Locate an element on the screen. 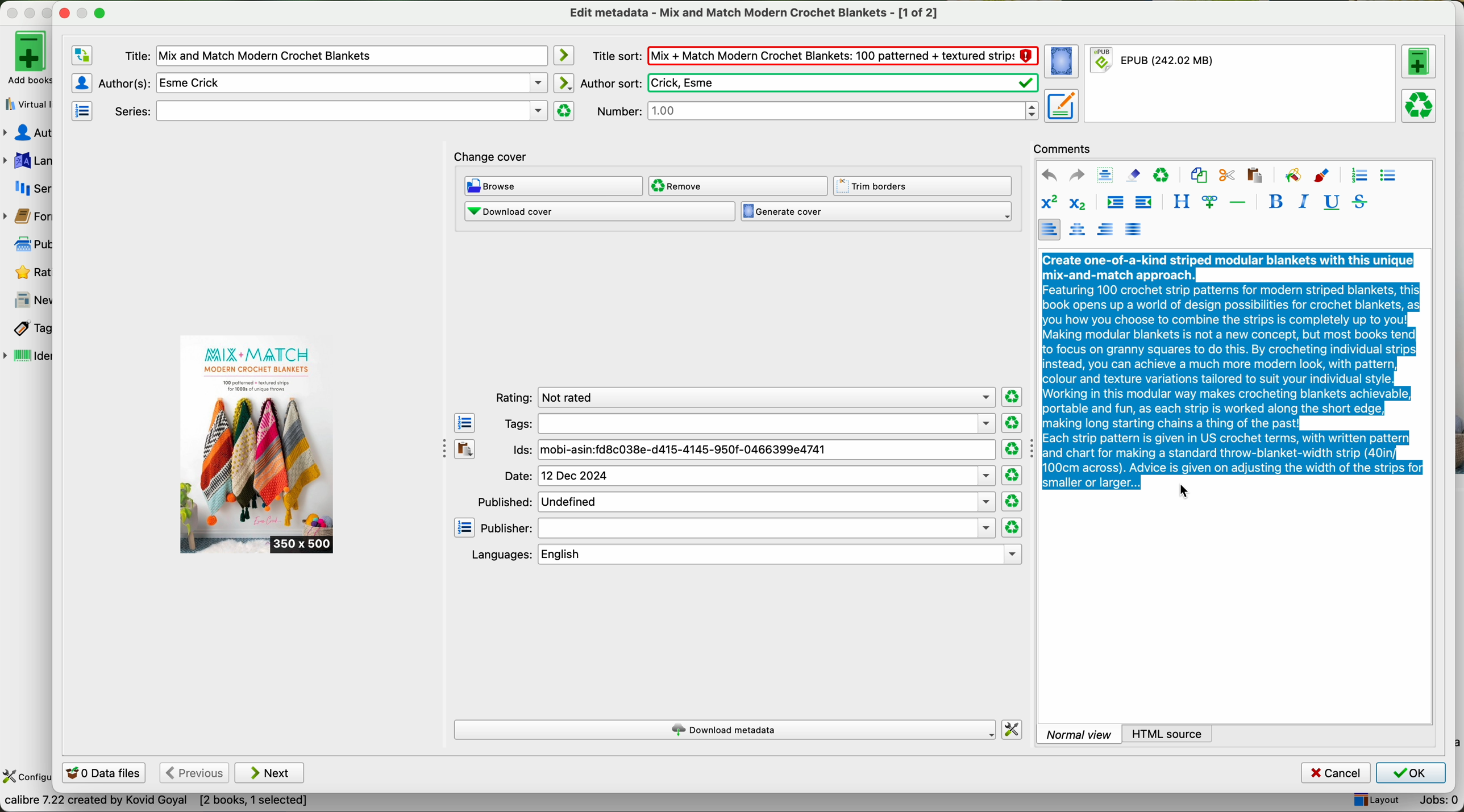 Image resolution: width=1464 pixels, height=812 pixels. clear series is located at coordinates (564, 111).